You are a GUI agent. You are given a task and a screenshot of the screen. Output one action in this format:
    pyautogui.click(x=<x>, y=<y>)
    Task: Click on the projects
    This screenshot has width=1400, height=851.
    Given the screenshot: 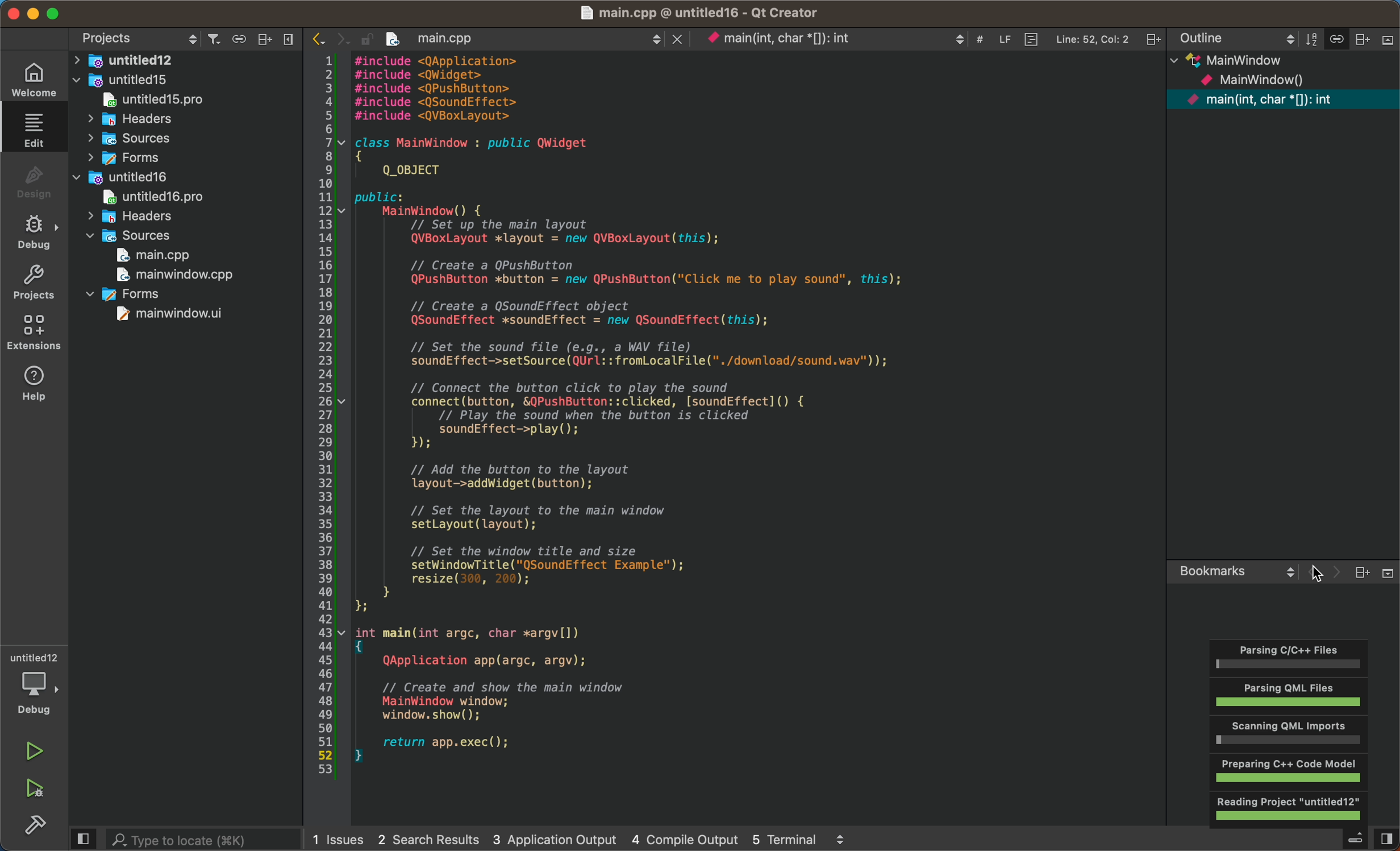 What is the action you would take?
    pyautogui.click(x=35, y=284)
    